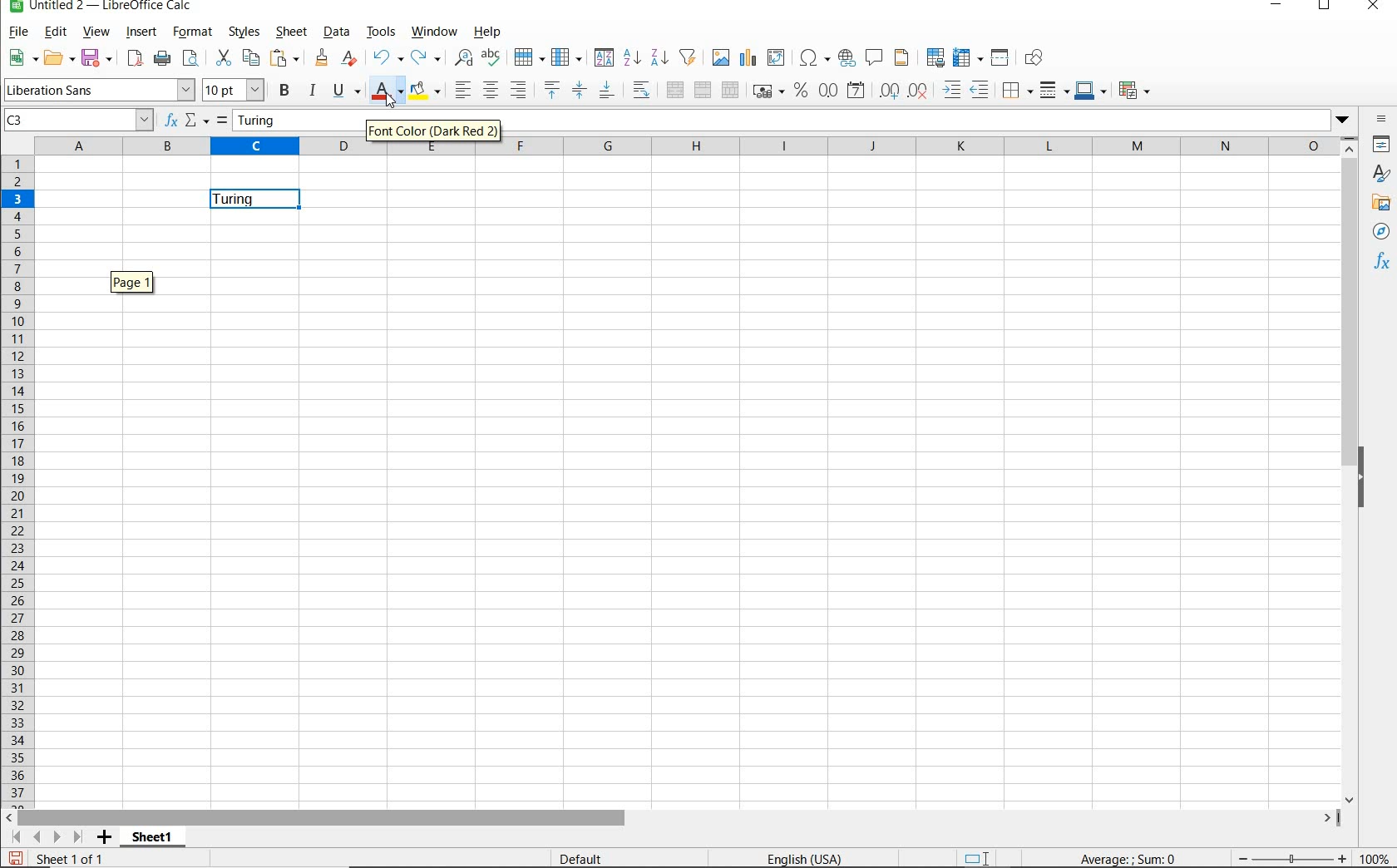  What do you see at coordinates (379, 32) in the screenshot?
I see `TOOLS` at bounding box center [379, 32].